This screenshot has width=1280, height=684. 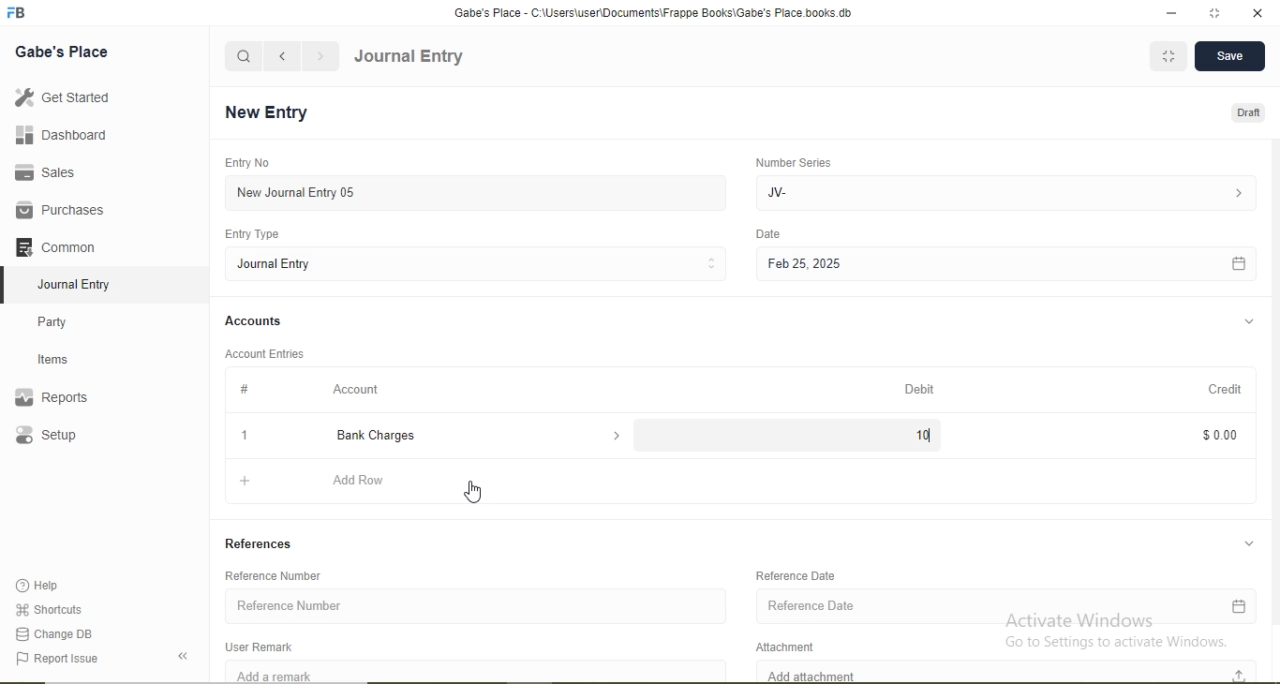 What do you see at coordinates (1003, 191) in the screenshot?
I see `JV-` at bounding box center [1003, 191].